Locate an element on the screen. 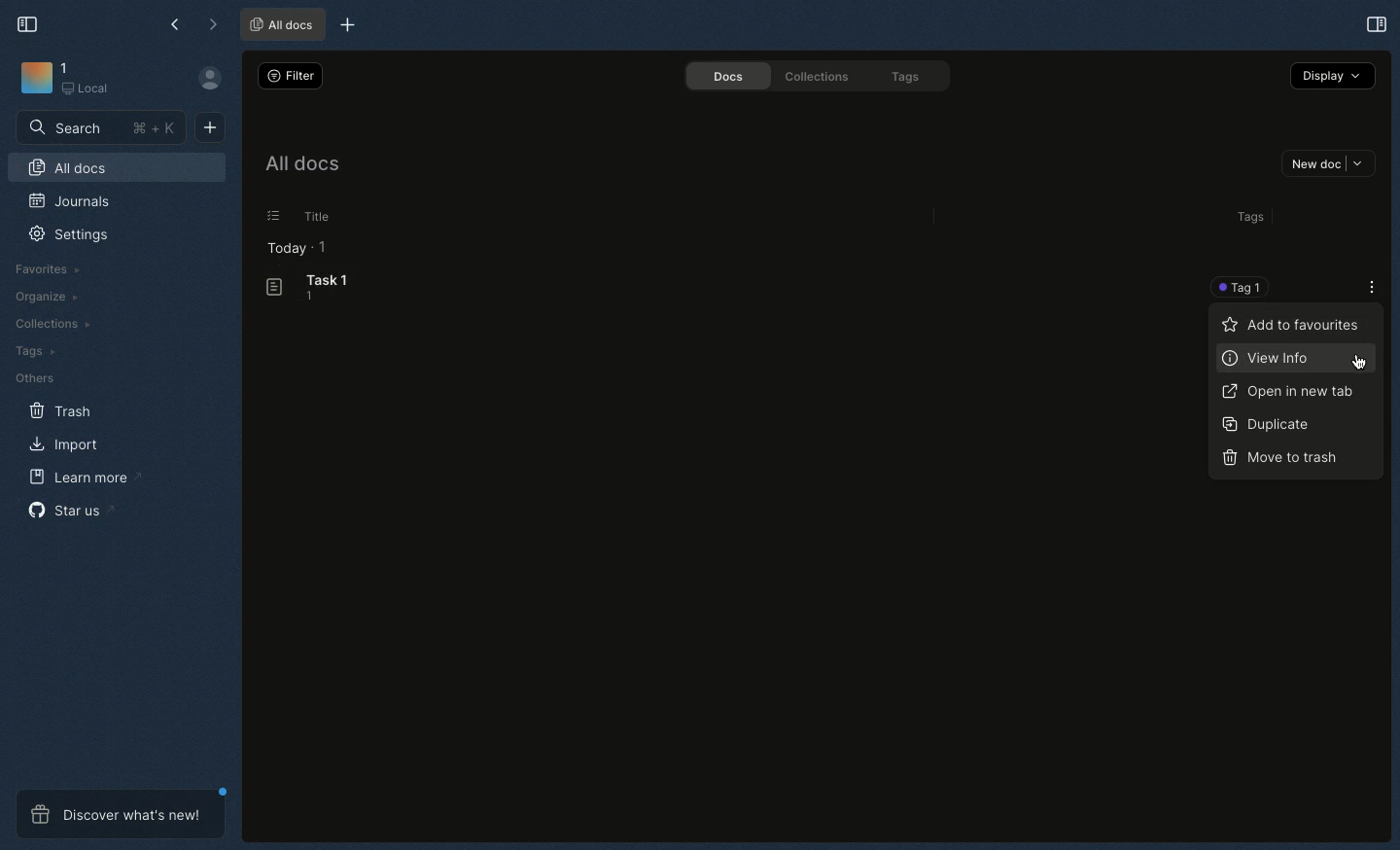 The height and width of the screenshot is (850, 1400). Docs is located at coordinates (728, 78).